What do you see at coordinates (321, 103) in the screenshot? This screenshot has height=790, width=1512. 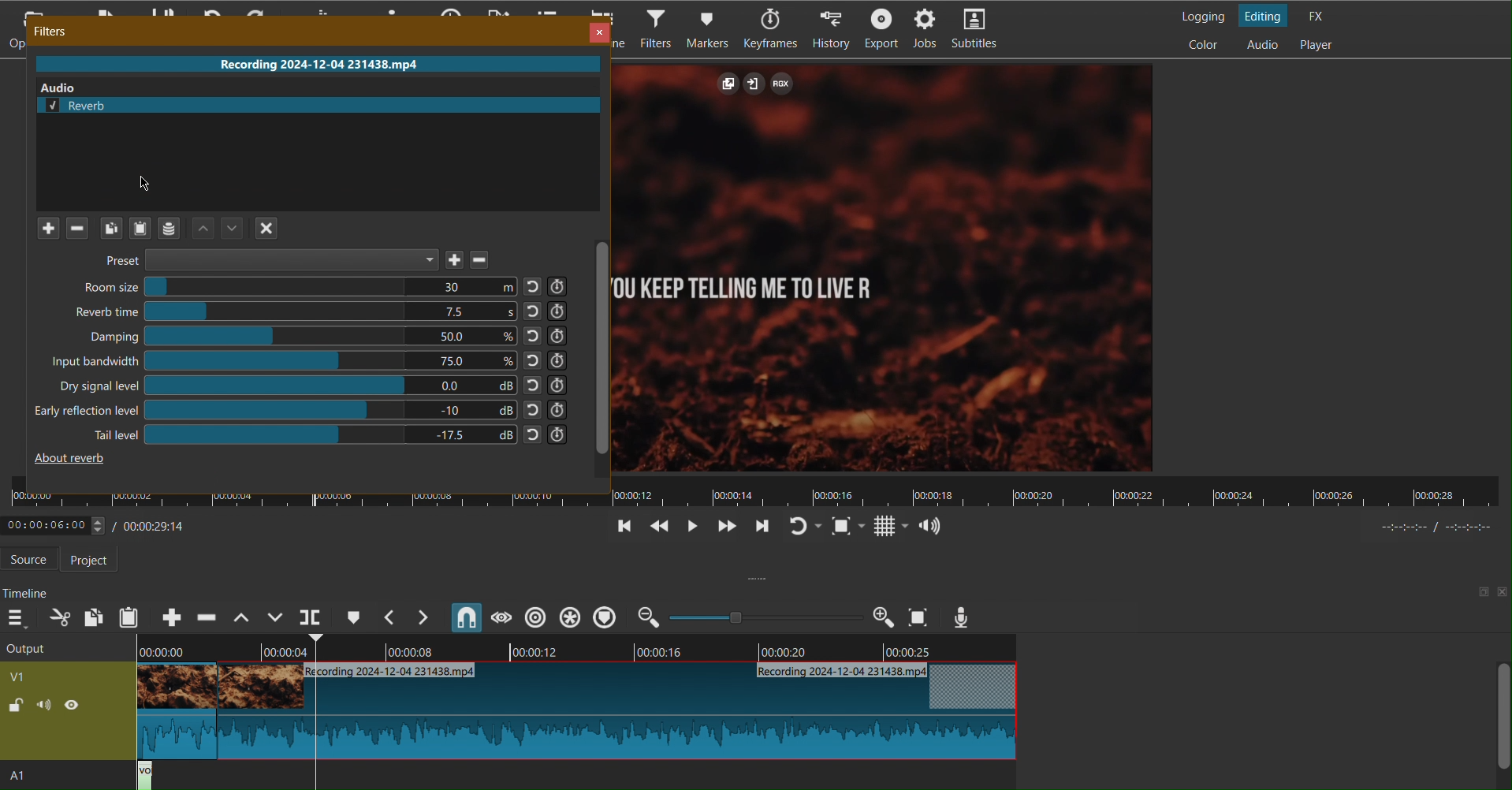 I see `Reverb` at bounding box center [321, 103].